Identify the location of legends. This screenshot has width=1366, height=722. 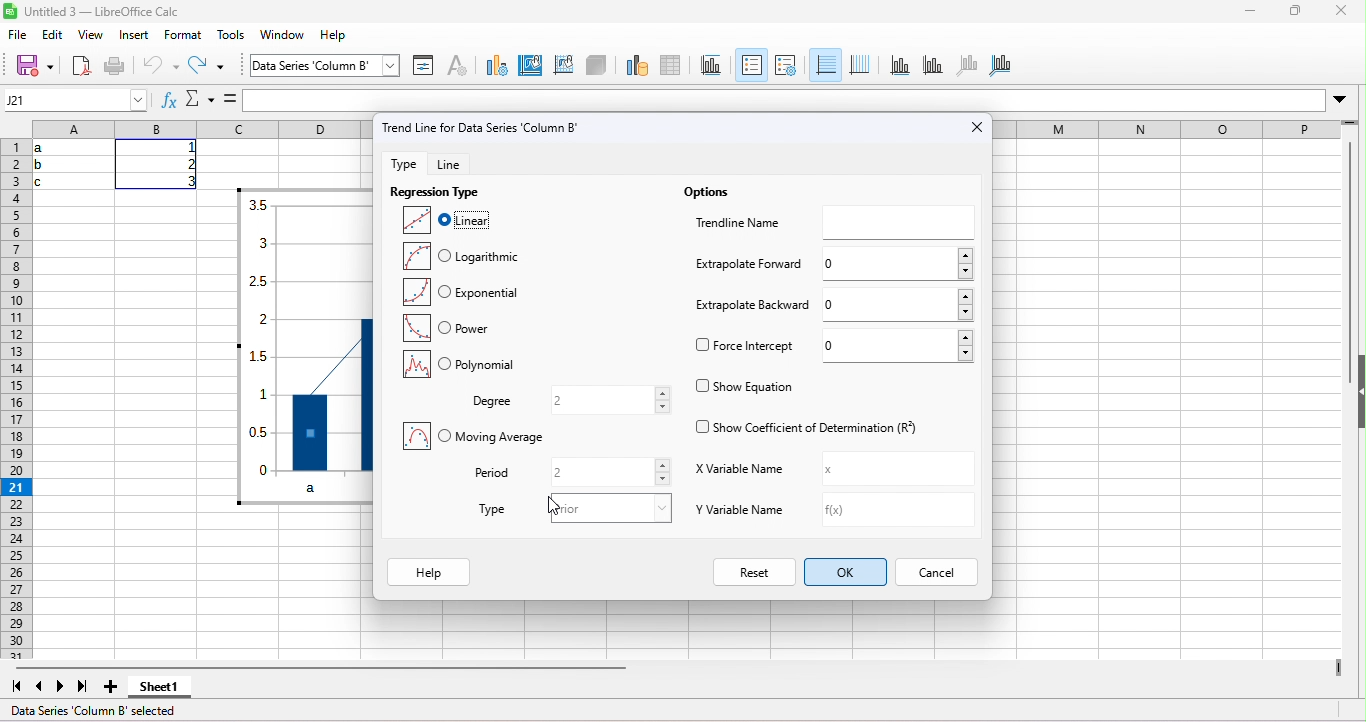
(786, 64).